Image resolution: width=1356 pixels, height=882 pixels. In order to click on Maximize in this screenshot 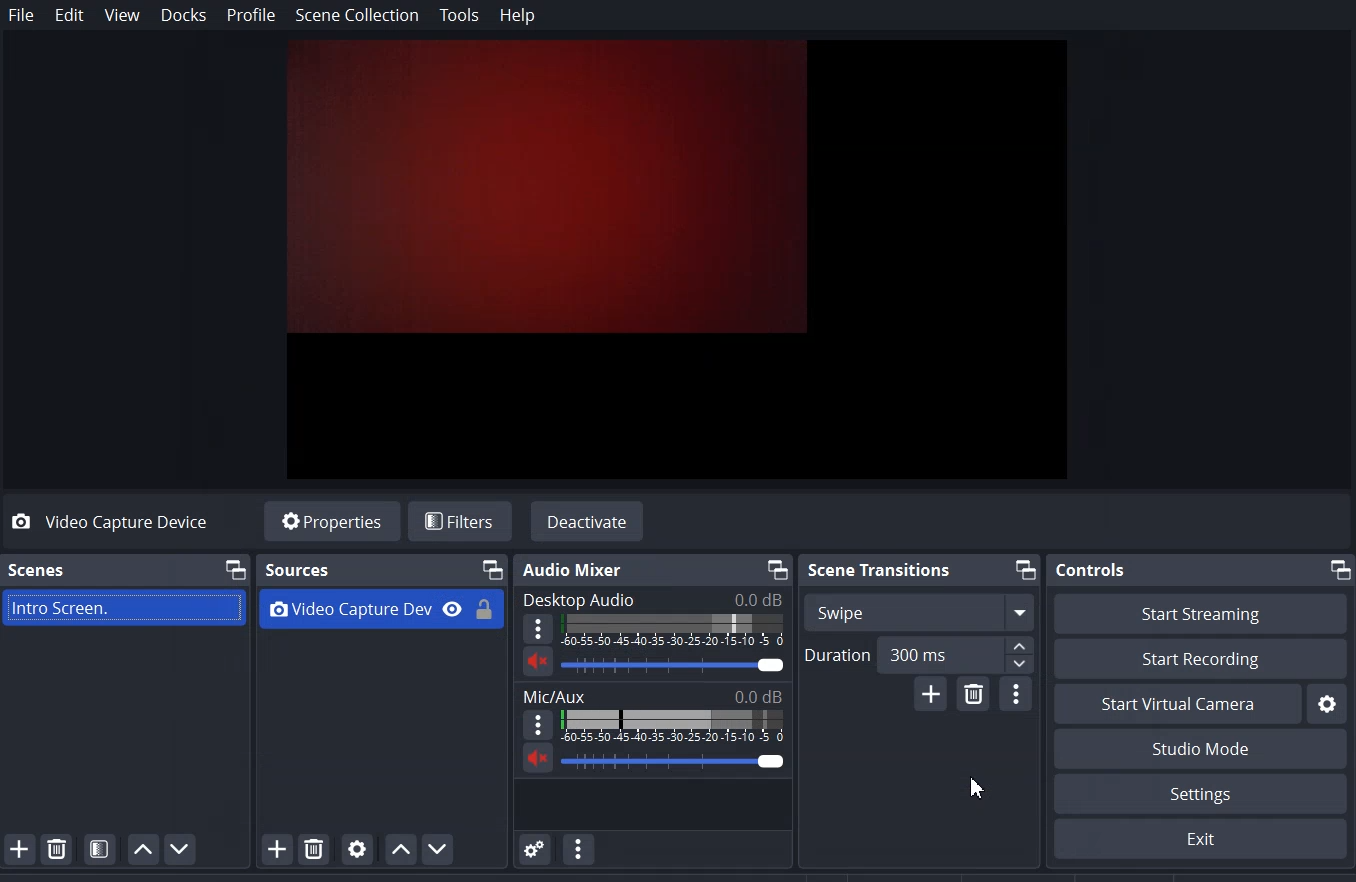, I will do `click(775, 568)`.